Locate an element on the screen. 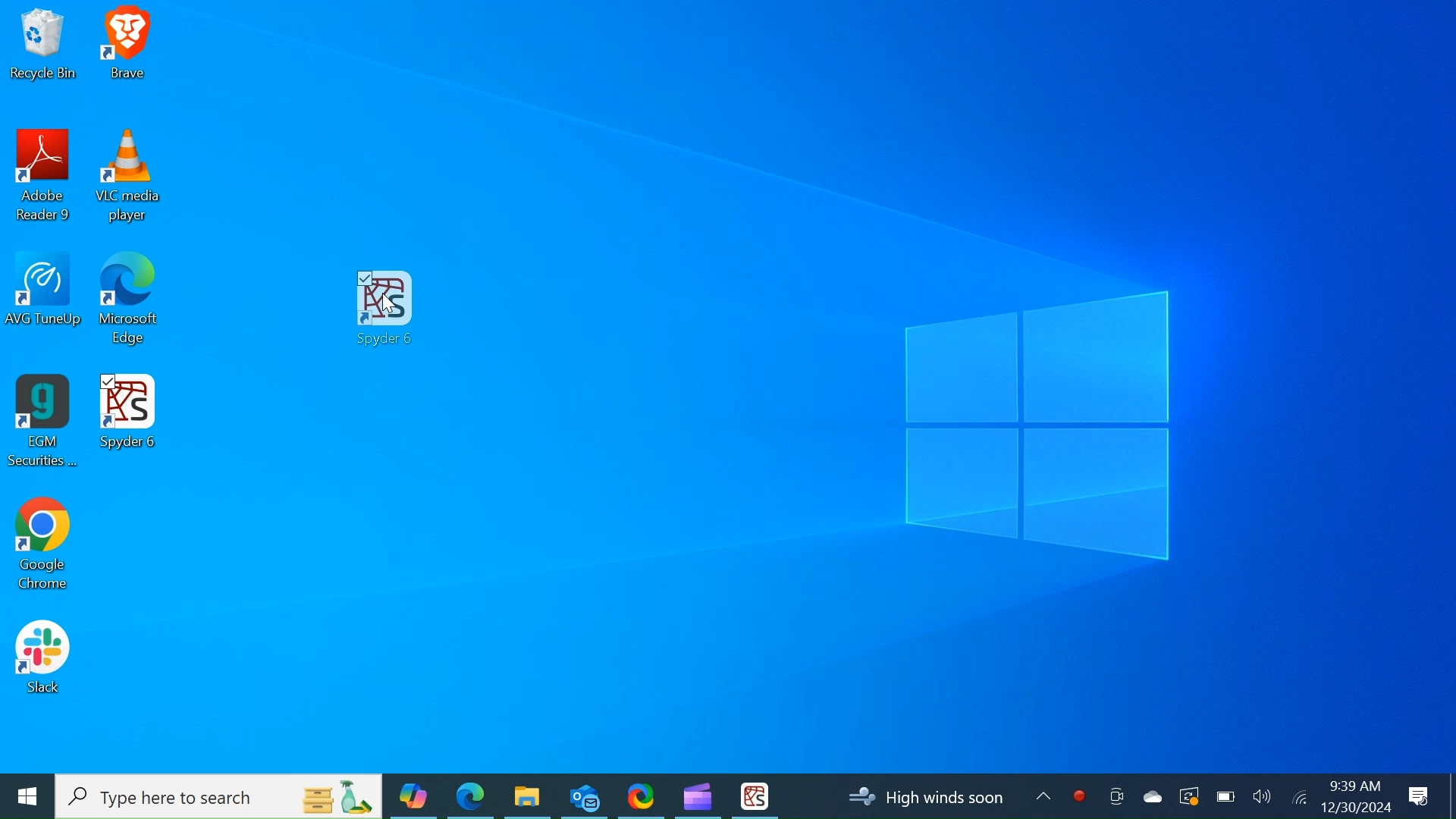 The width and height of the screenshot is (1456, 819). Spyder Desktop Icon is located at coordinates (755, 796).